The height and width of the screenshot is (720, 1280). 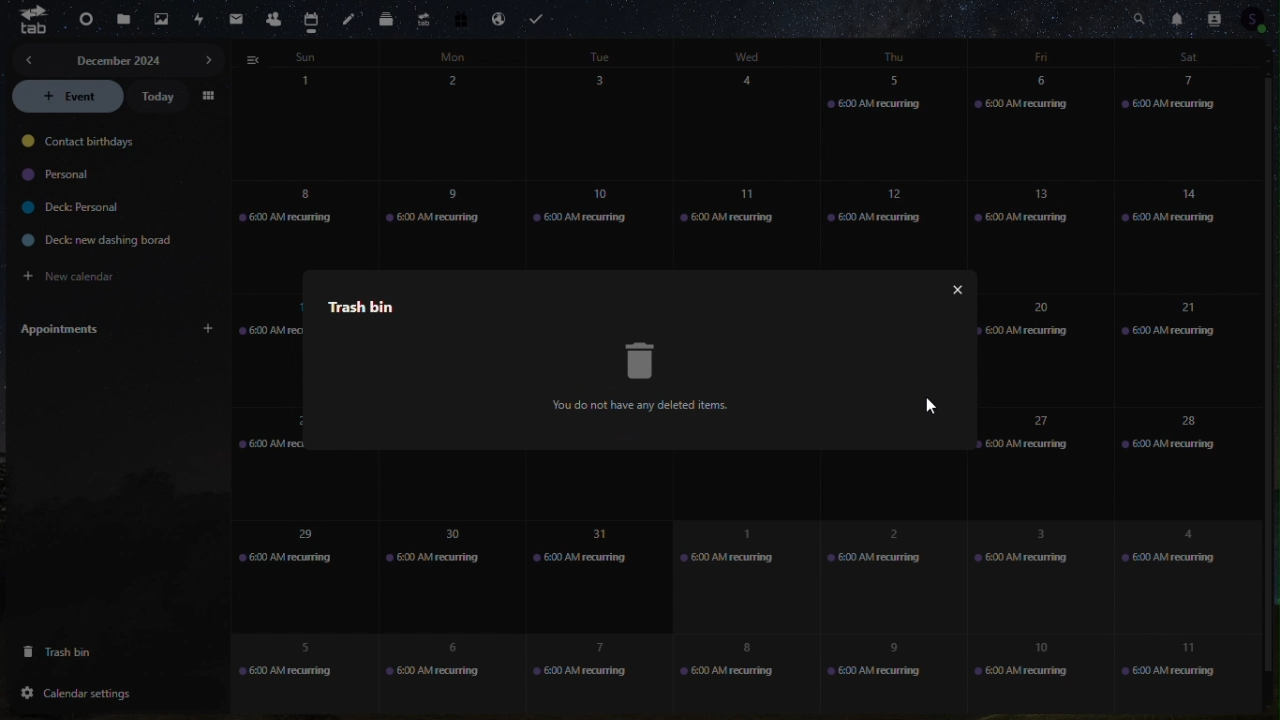 I want to click on menu, so click(x=210, y=95).